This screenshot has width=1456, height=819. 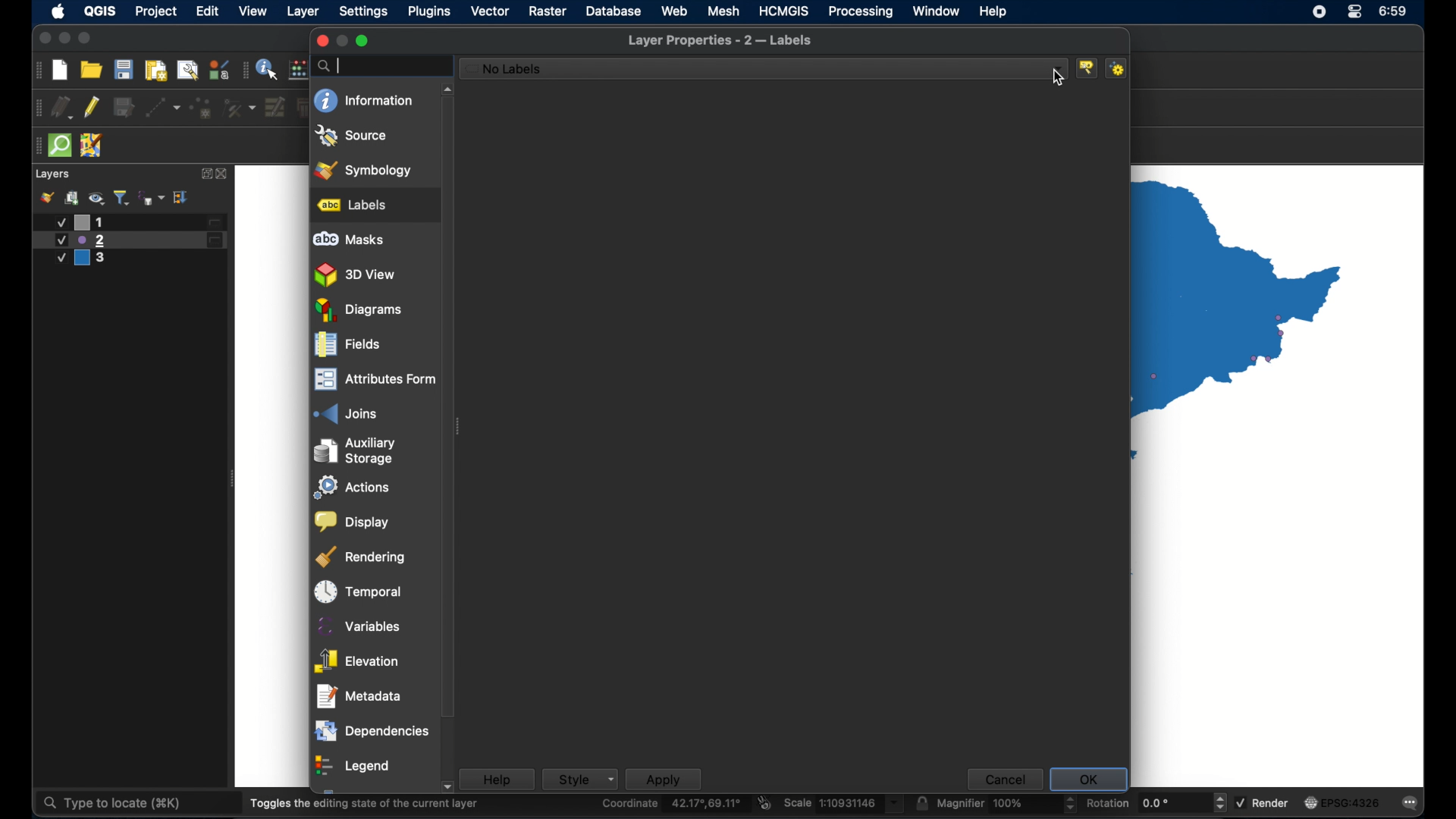 What do you see at coordinates (354, 767) in the screenshot?
I see `legend` at bounding box center [354, 767].